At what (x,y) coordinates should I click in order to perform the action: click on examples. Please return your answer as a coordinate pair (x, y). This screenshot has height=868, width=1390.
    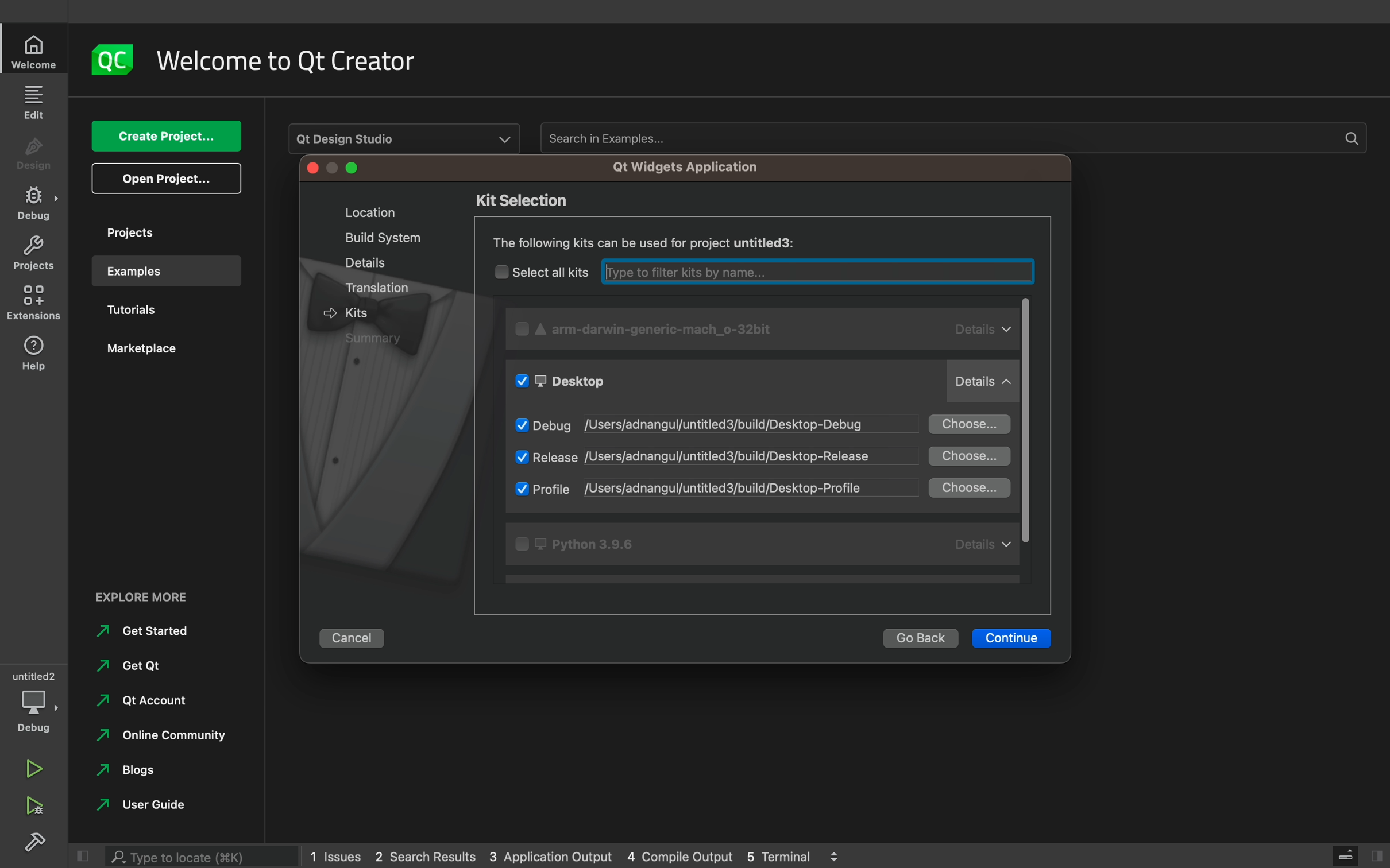
    Looking at the image, I should click on (167, 271).